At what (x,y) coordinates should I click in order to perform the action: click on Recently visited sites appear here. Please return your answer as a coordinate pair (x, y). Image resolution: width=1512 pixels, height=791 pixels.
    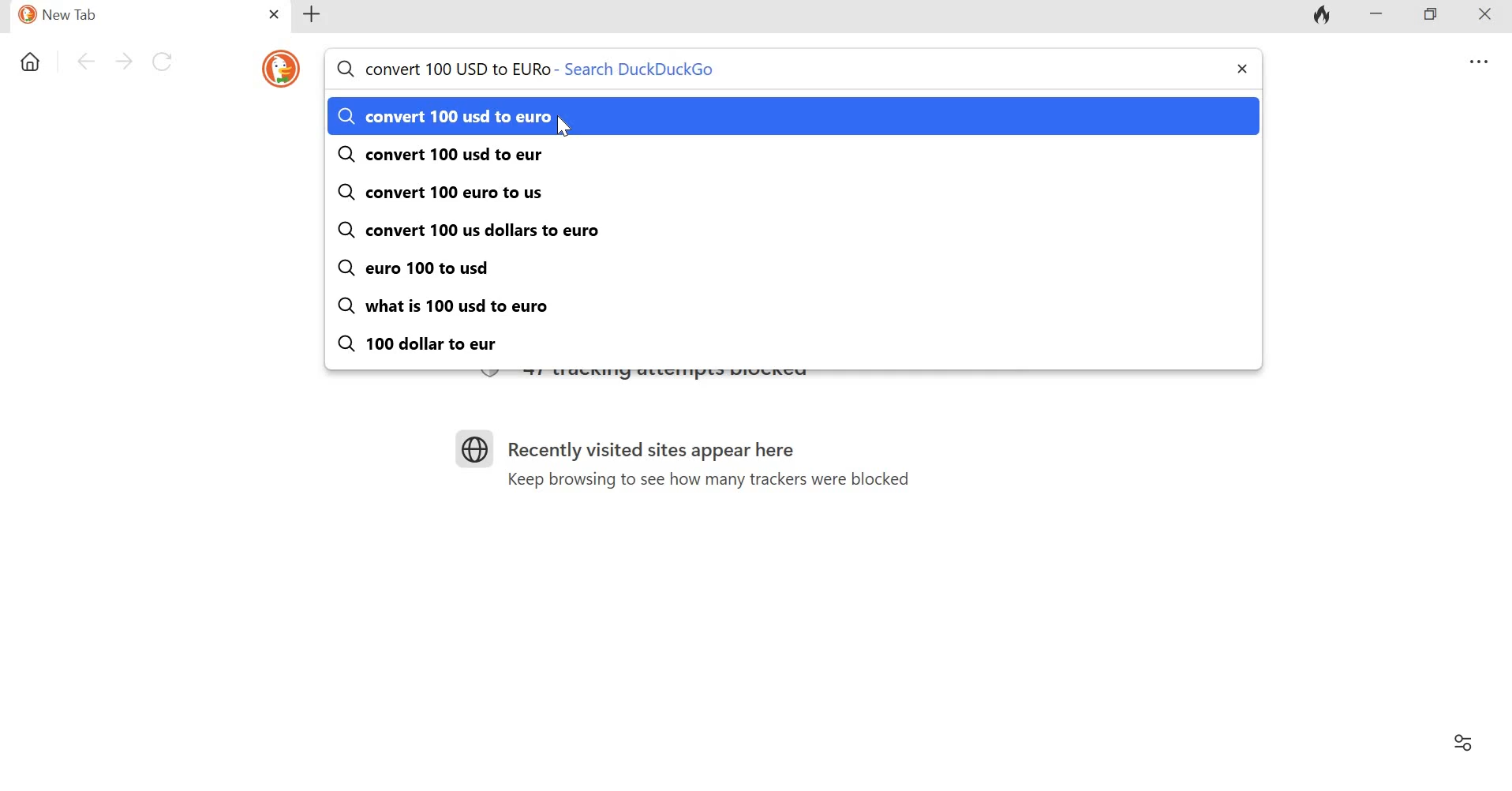
    Looking at the image, I should click on (662, 452).